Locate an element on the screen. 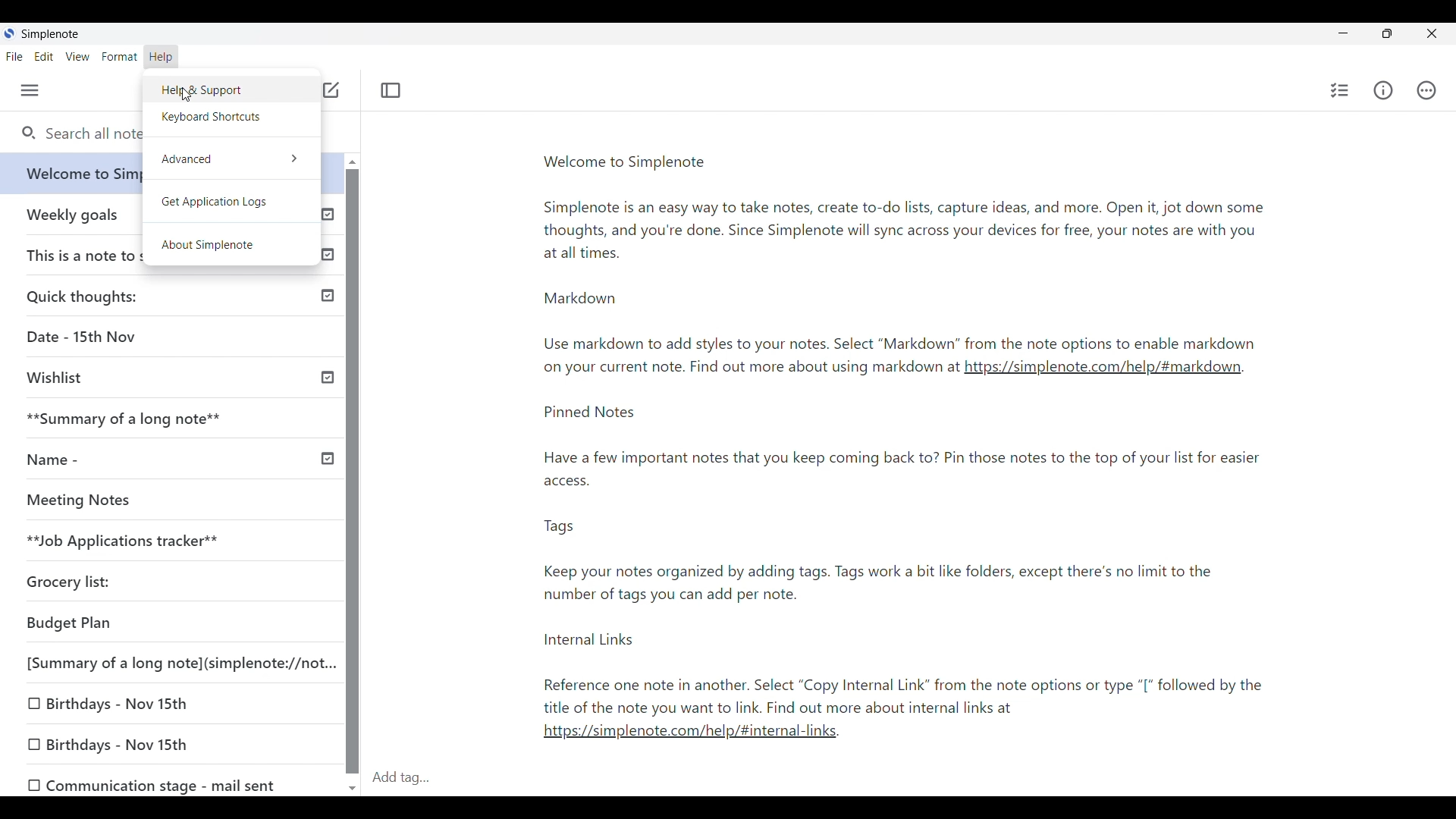  Help and support is located at coordinates (231, 90).